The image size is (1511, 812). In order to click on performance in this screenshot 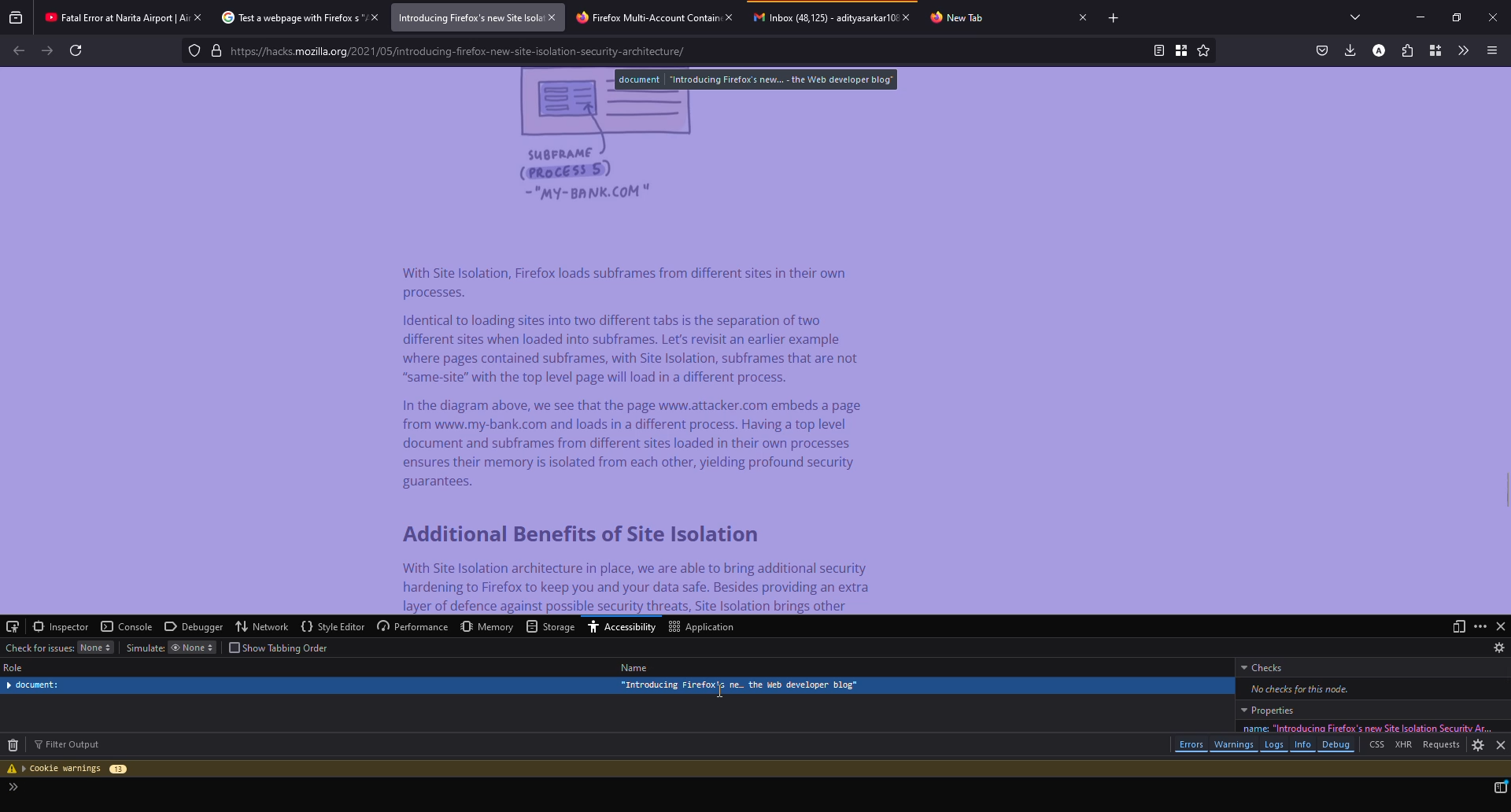, I will do `click(413, 626)`.